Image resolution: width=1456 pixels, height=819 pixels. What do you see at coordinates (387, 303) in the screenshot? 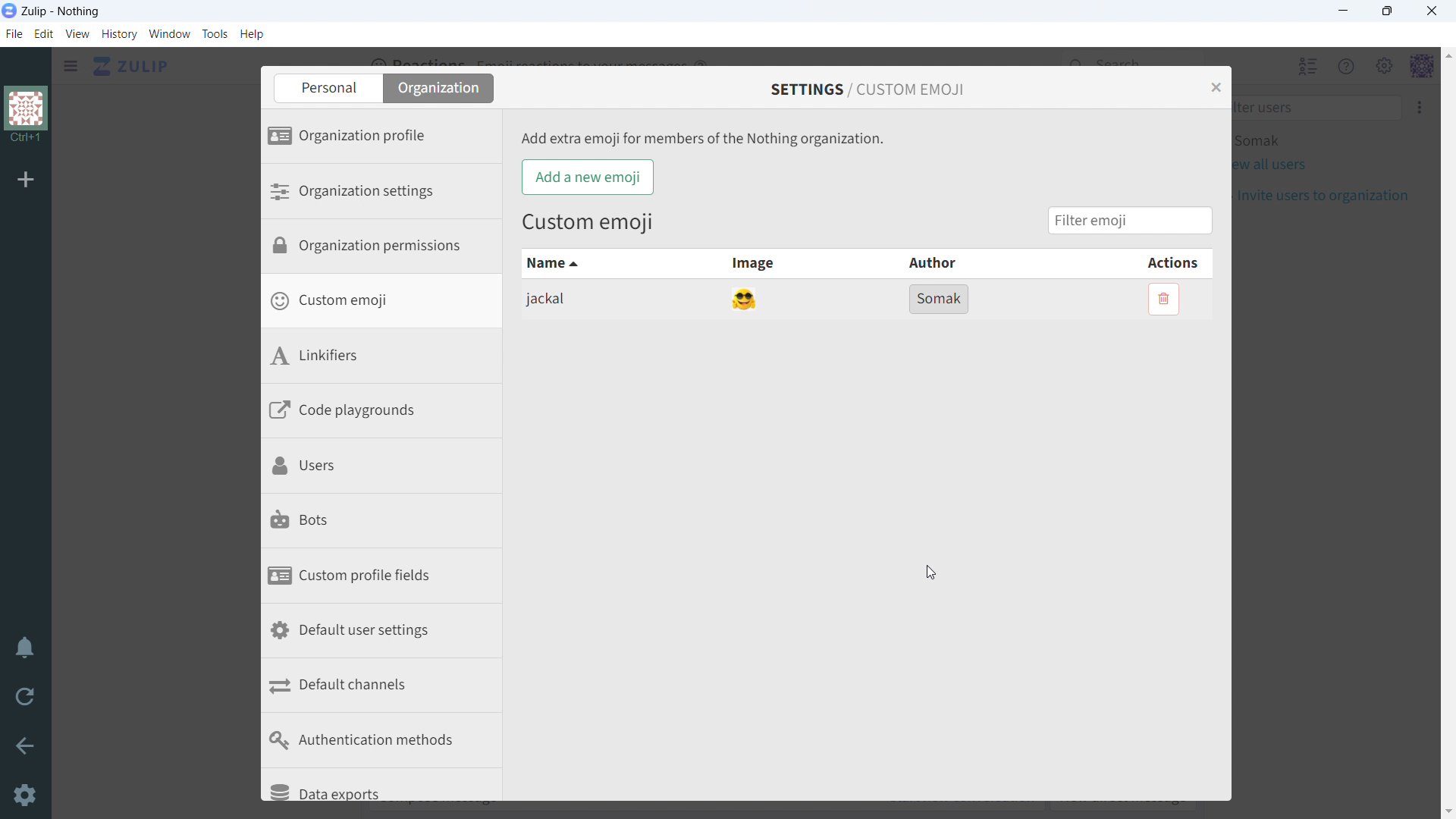
I see `custom emoji` at bounding box center [387, 303].